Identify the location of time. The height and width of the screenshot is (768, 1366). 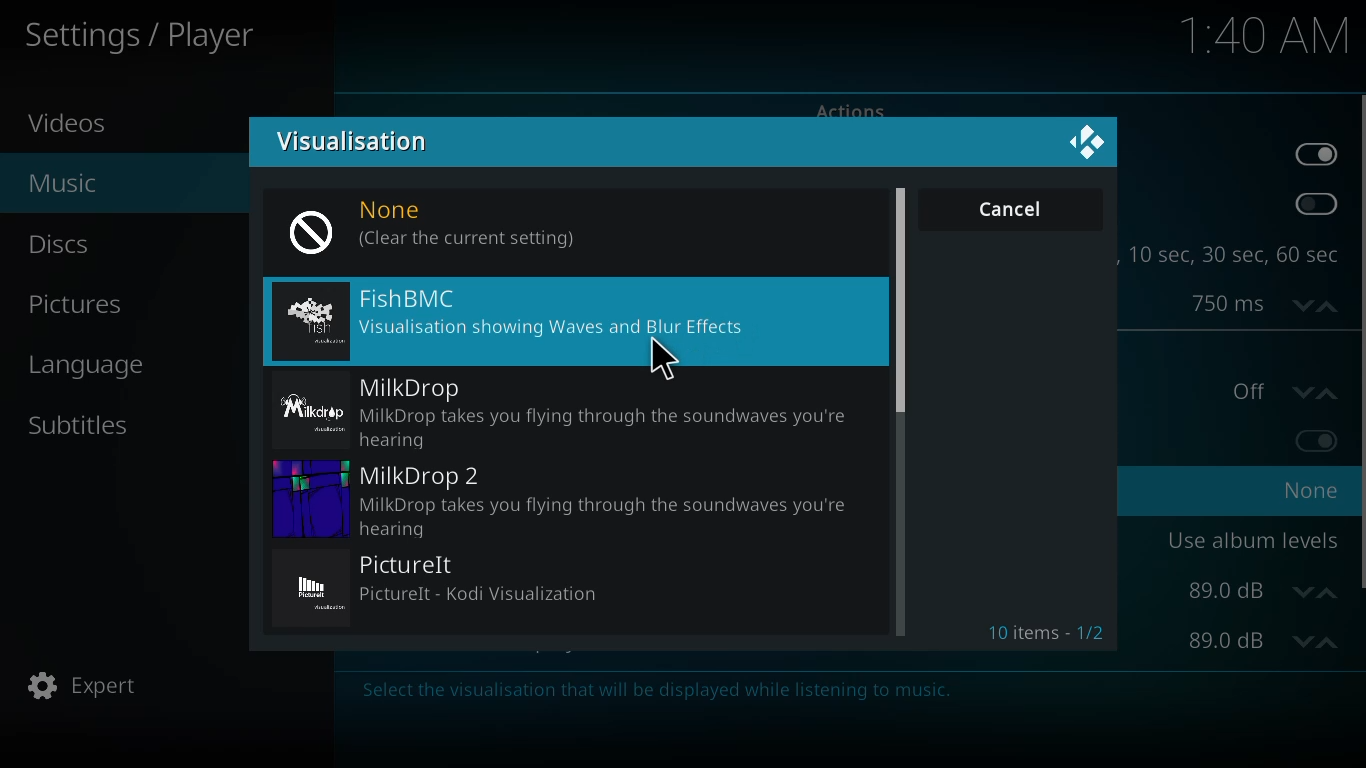
(1267, 34).